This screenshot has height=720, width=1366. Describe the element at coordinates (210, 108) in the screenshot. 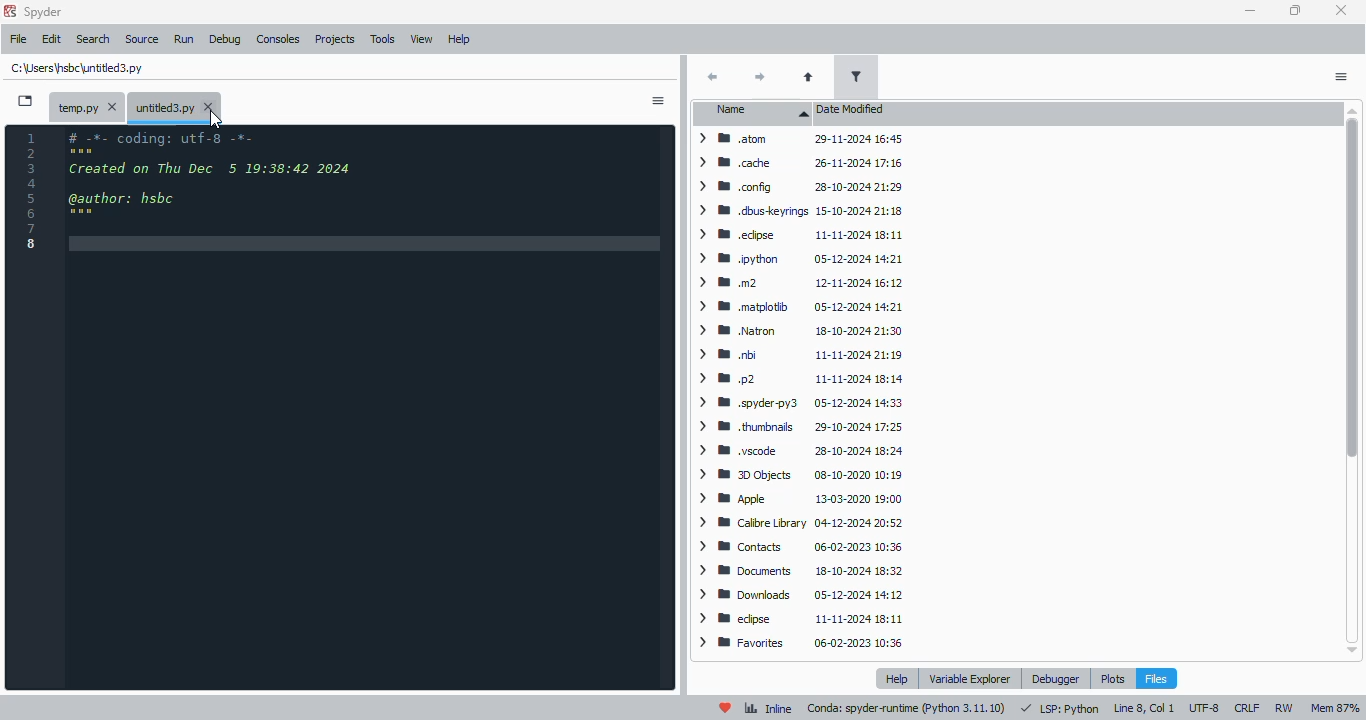

I see `close tab` at that location.